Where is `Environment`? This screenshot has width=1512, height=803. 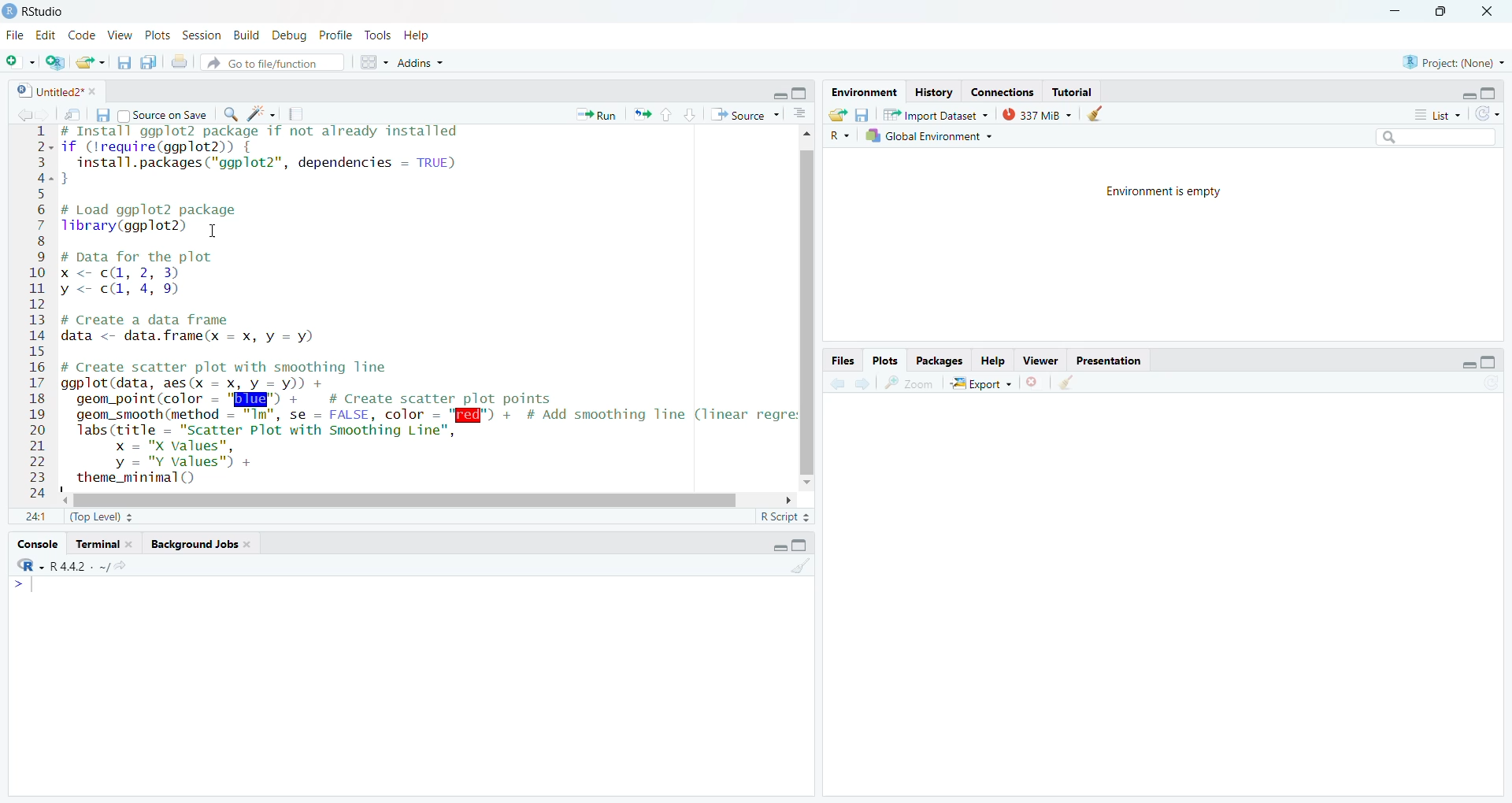
Environment is located at coordinates (861, 92).